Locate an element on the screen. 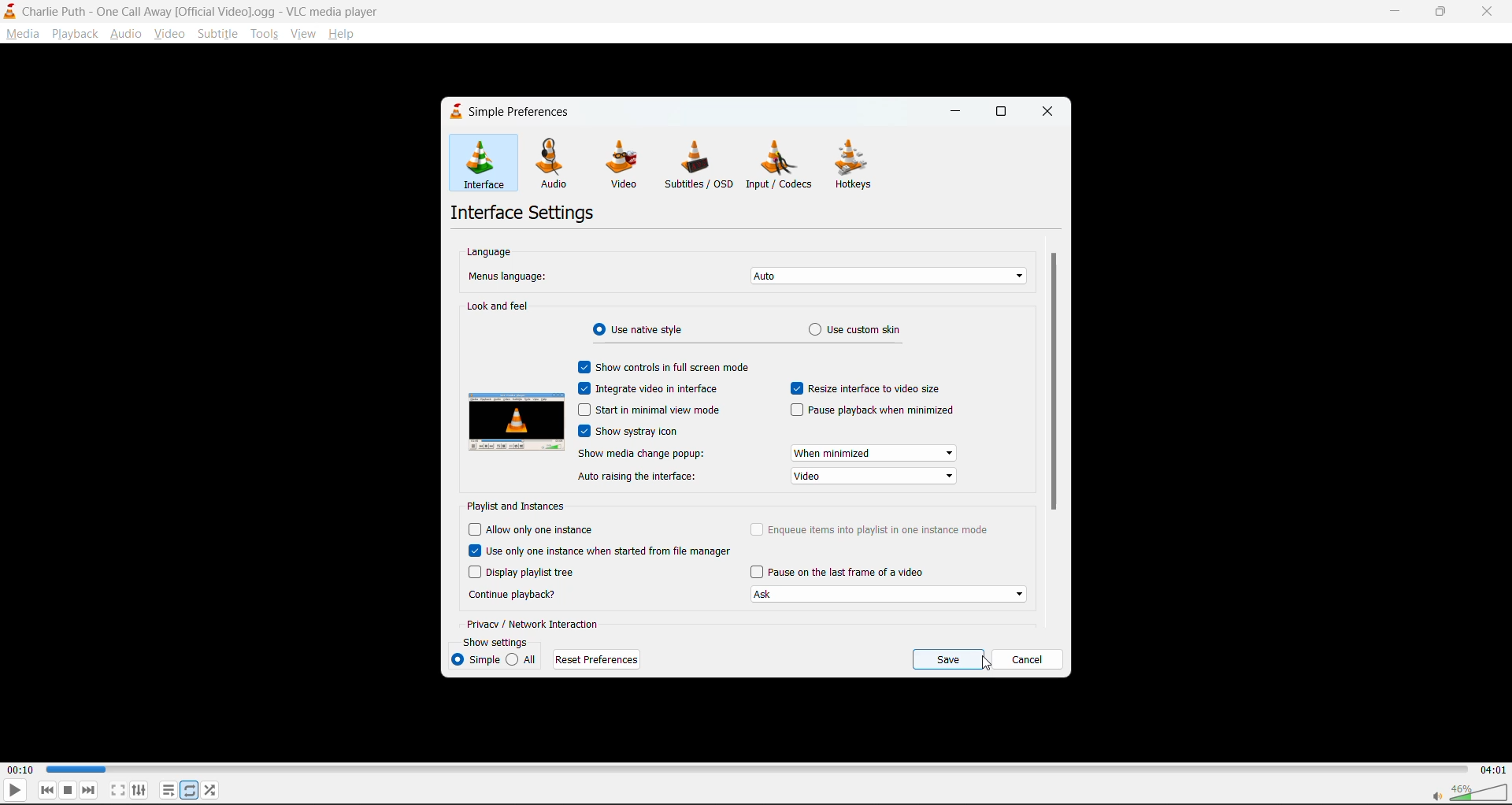 The image size is (1512, 805). track slider is located at coordinates (750, 770).